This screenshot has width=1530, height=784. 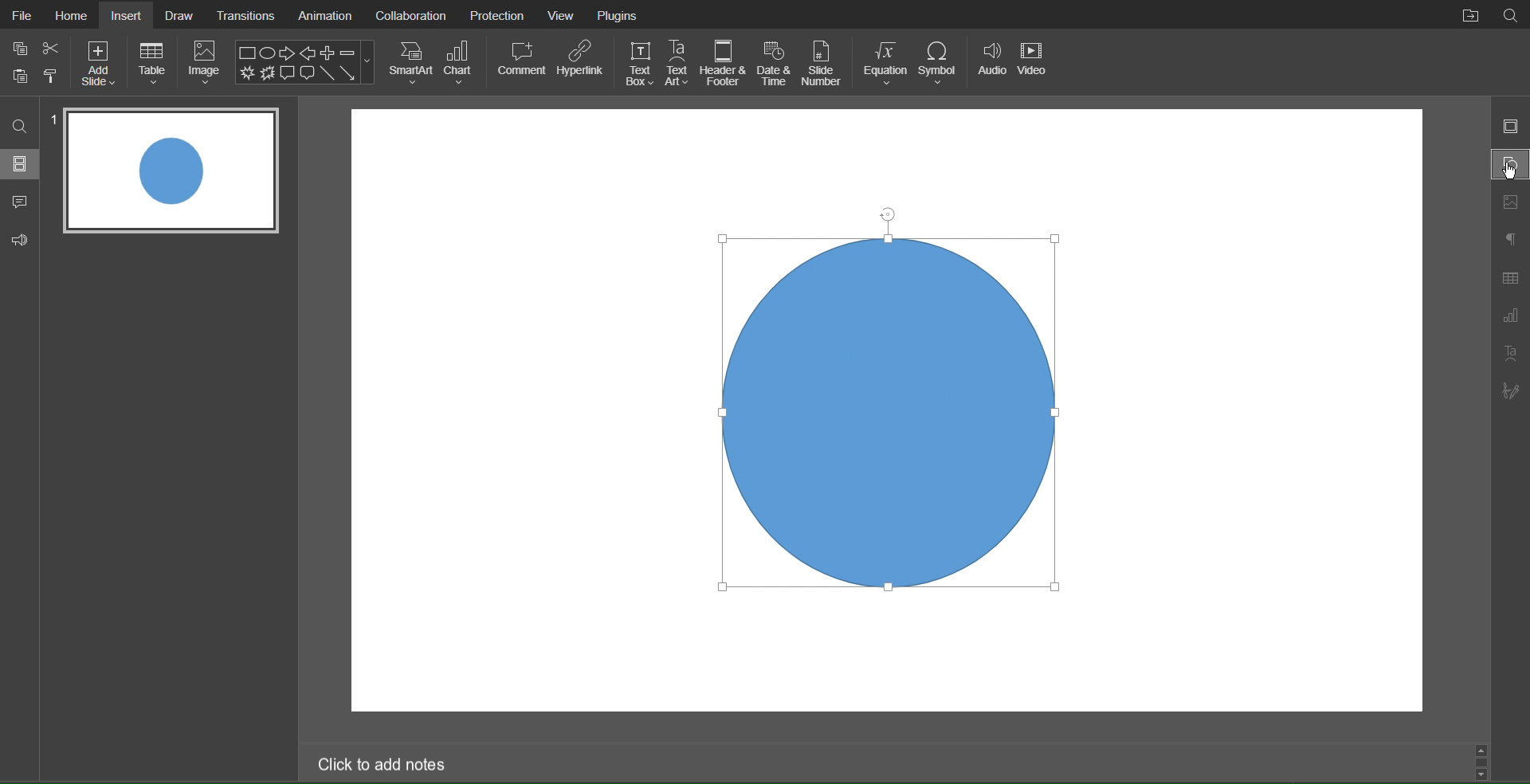 I want to click on Signature, so click(x=1511, y=394).